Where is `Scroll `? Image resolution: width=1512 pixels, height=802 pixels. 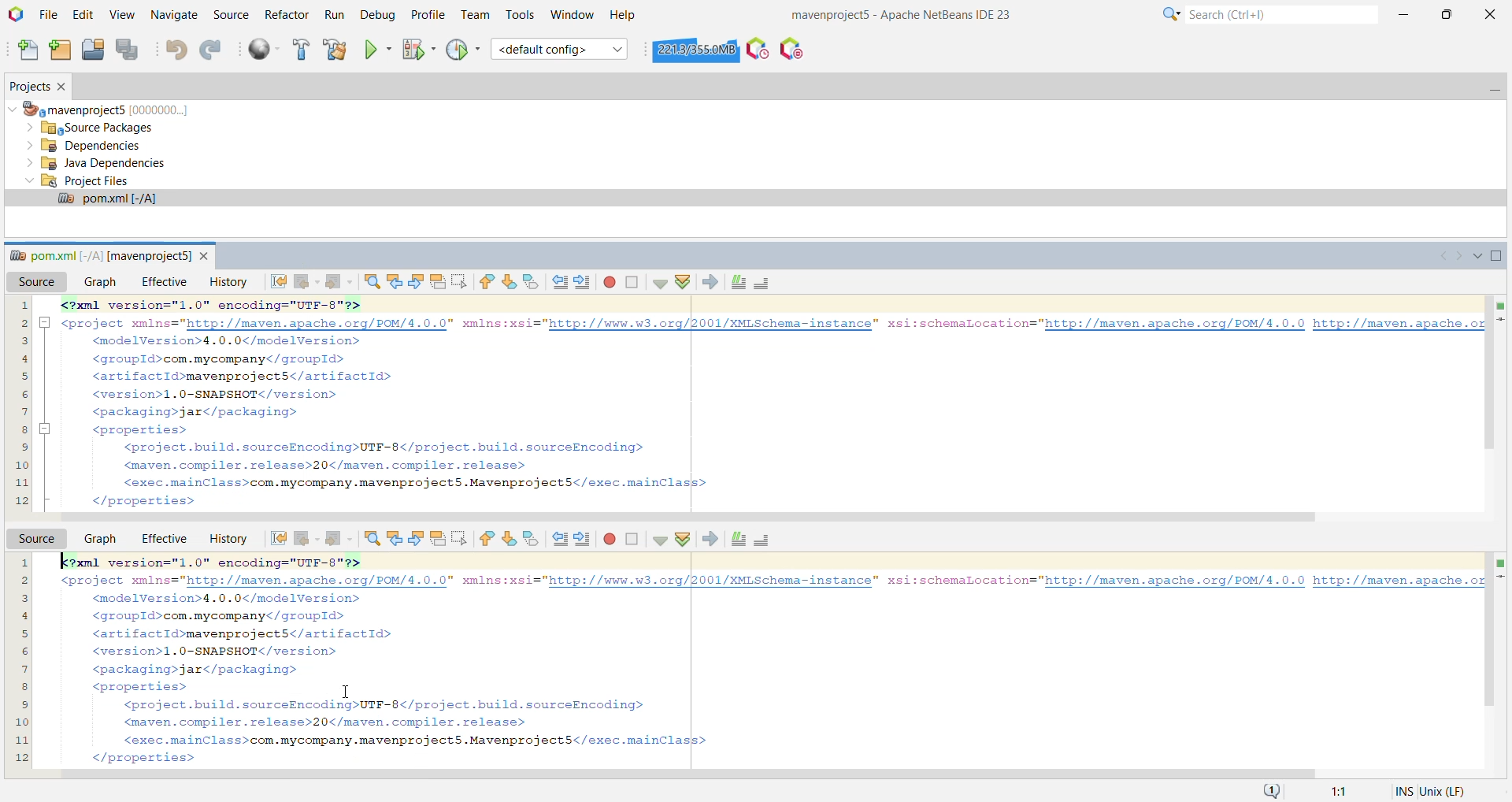 Scroll  is located at coordinates (693, 518).